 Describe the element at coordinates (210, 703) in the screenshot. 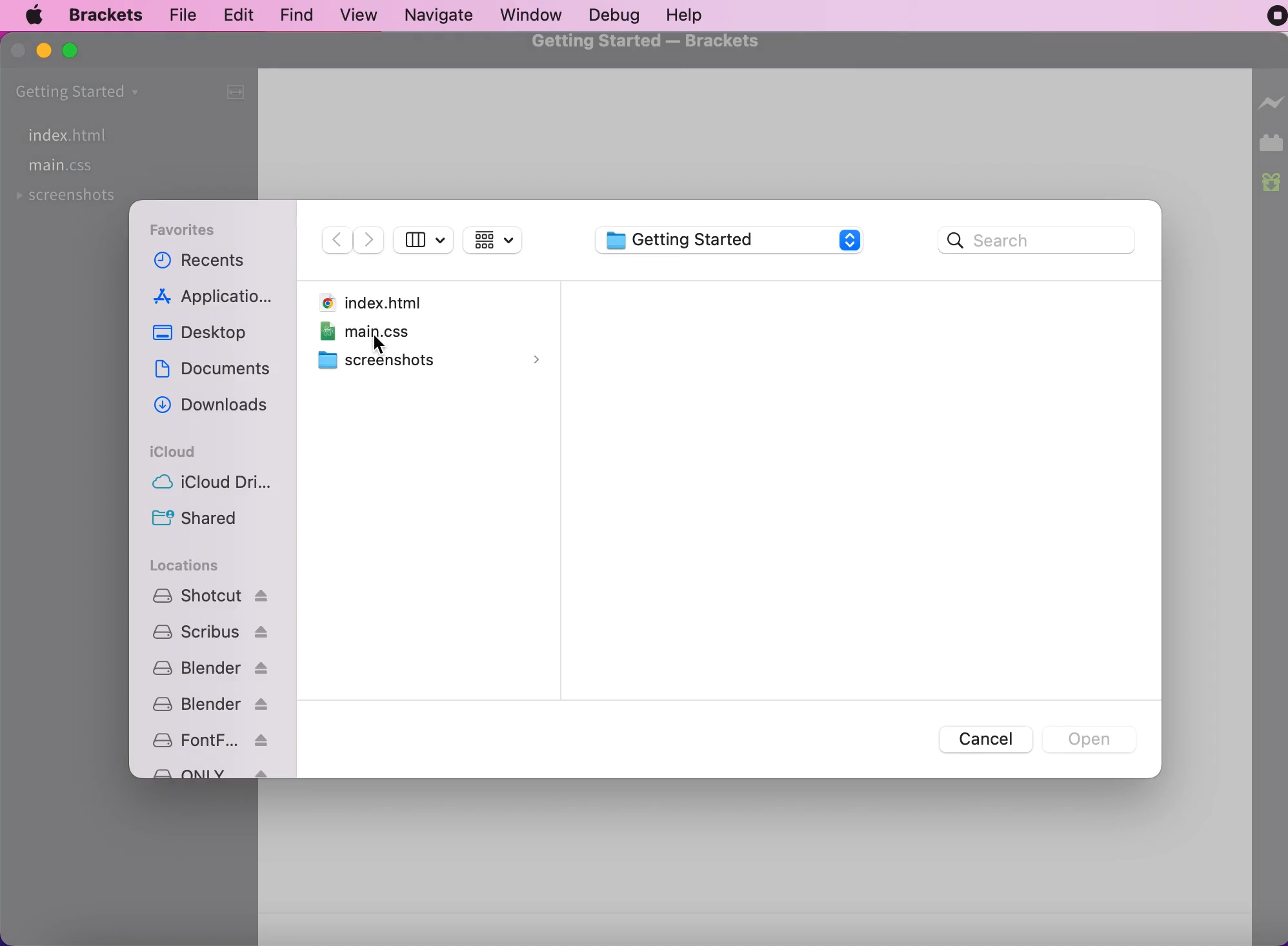

I see `blender` at that location.